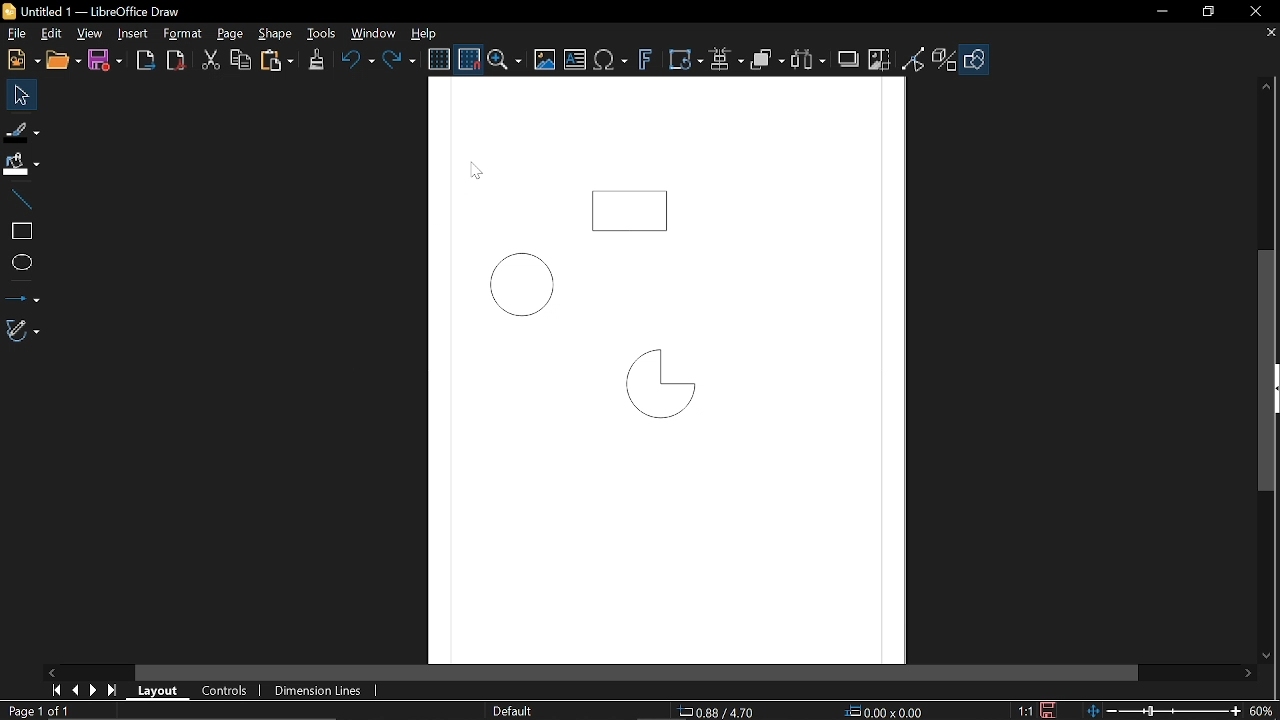 This screenshot has width=1280, height=720. What do you see at coordinates (210, 59) in the screenshot?
I see `cut` at bounding box center [210, 59].